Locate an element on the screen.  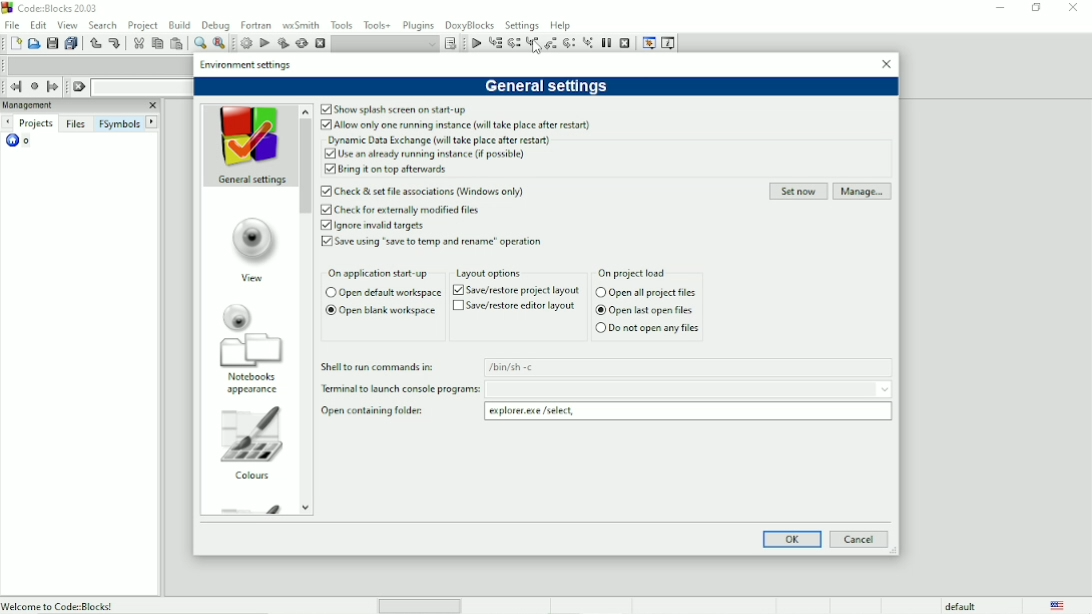
Open is located at coordinates (33, 43).